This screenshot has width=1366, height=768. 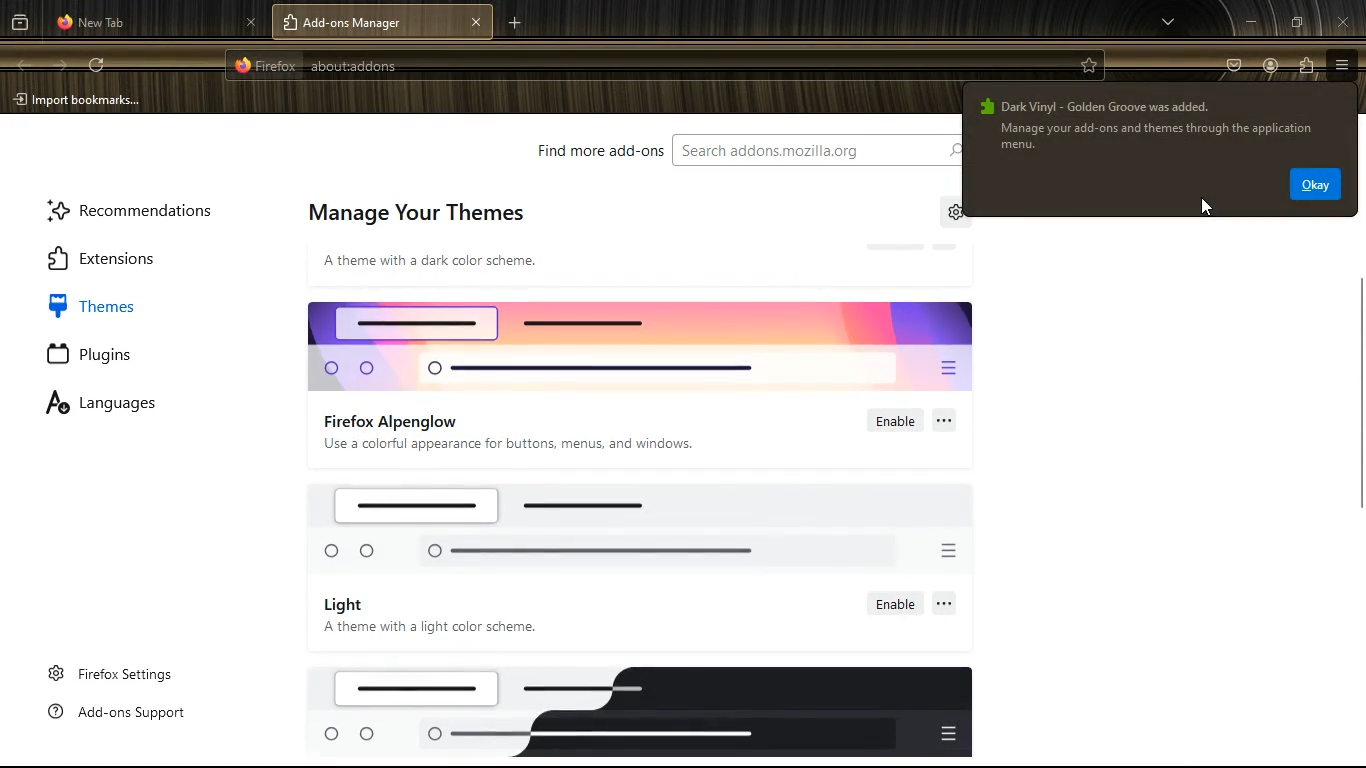 What do you see at coordinates (428, 260) in the screenshot?
I see `‘A theme with a dark color scheme.` at bounding box center [428, 260].